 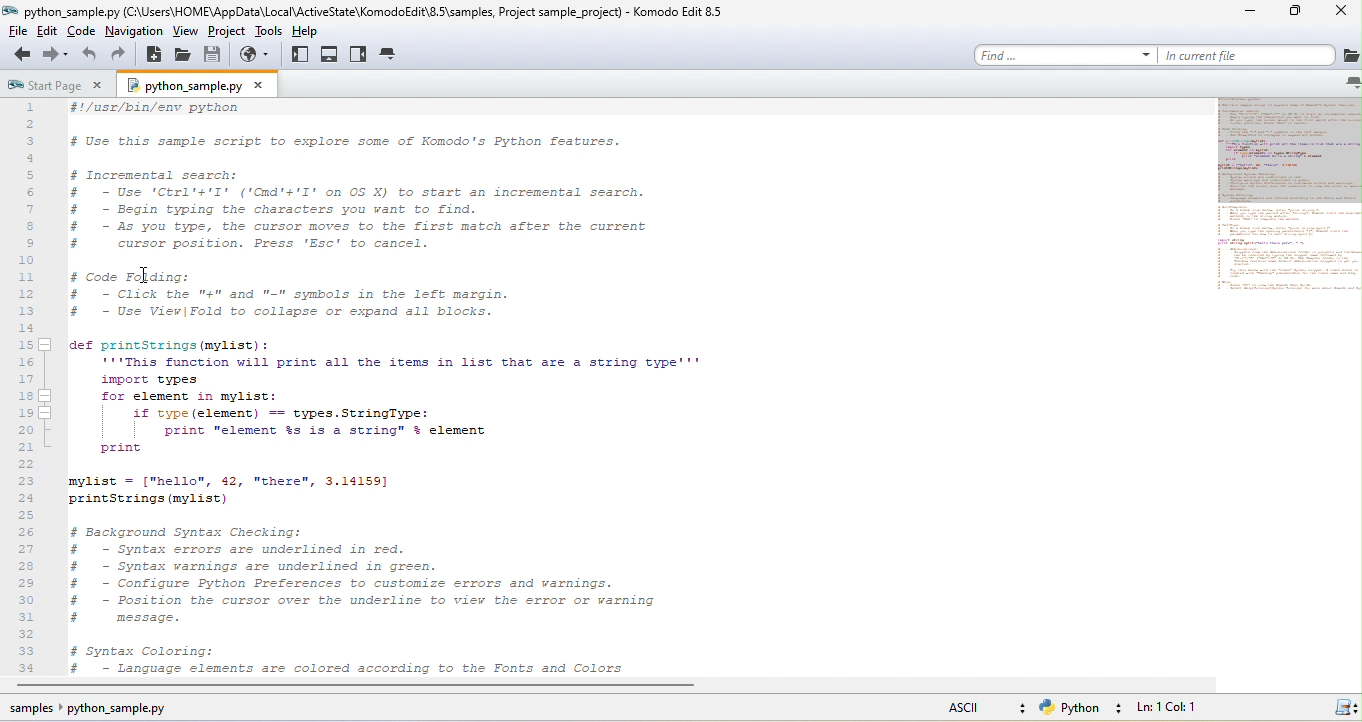 What do you see at coordinates (189, 34) in the screenshot?
I see `view` at bounding box center [189, 34].